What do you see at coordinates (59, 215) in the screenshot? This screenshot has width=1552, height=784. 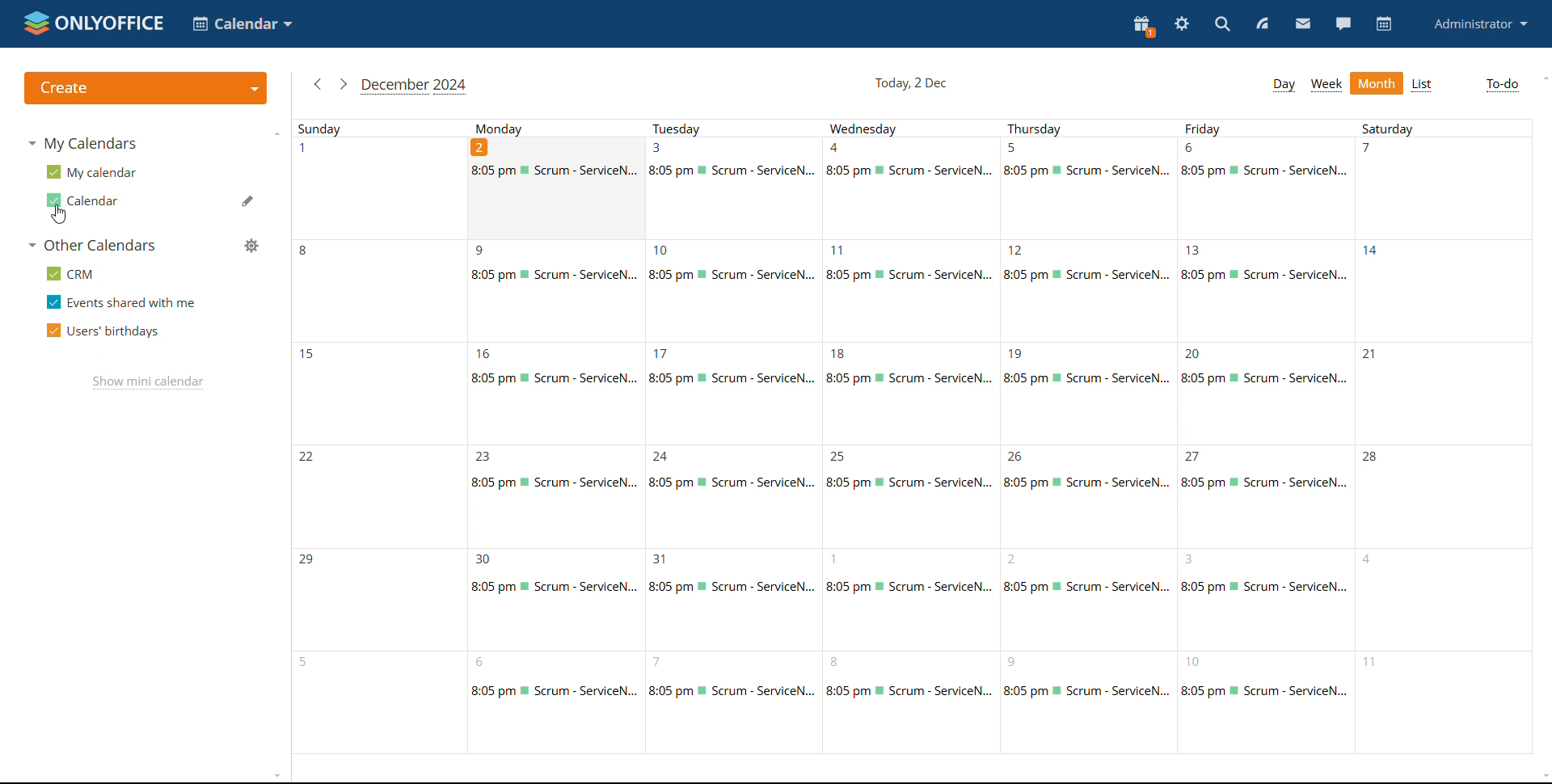 I see `cursor` at bounding box center [59, 215].